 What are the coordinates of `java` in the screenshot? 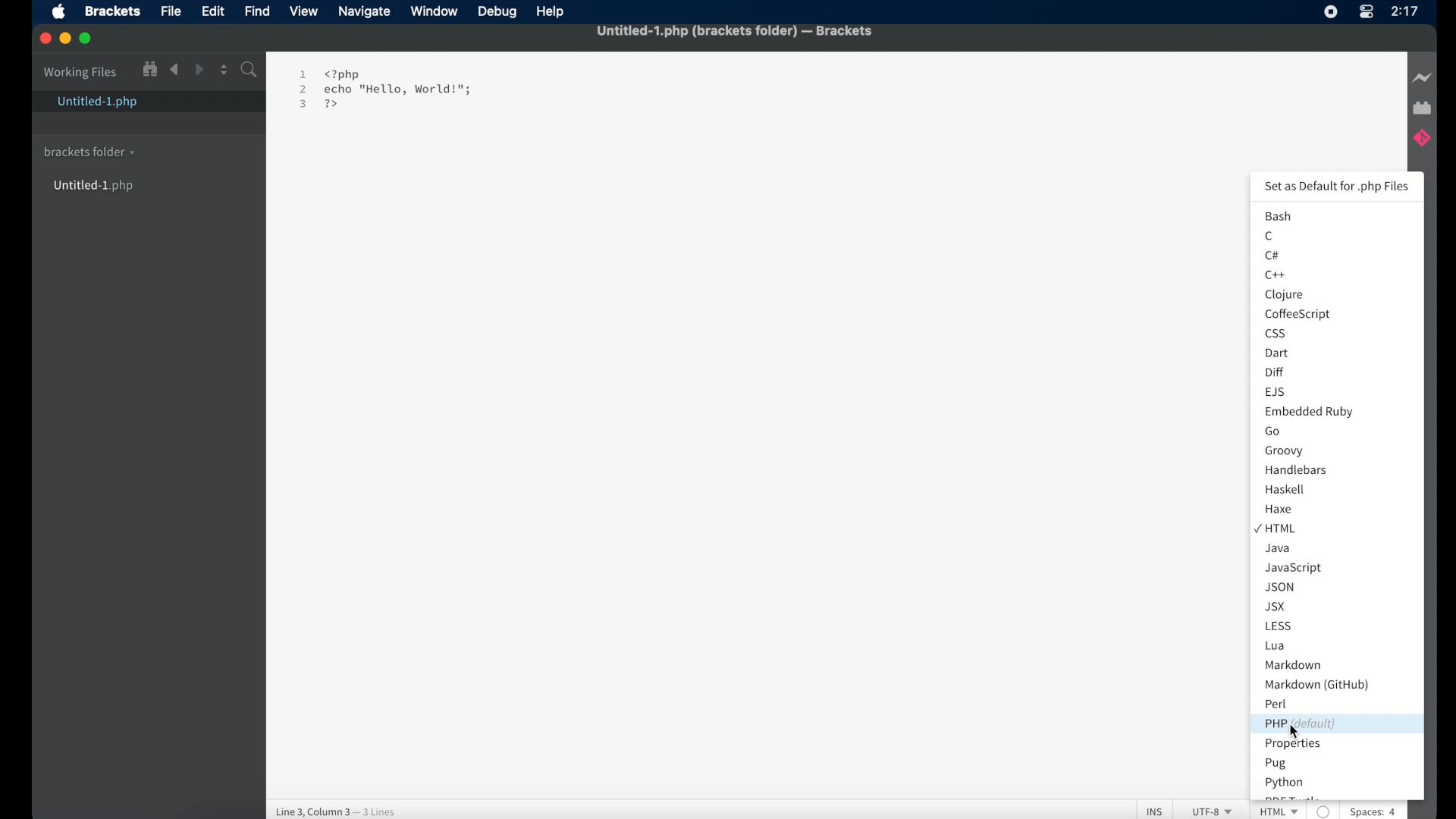 It's located at (1279, 549).